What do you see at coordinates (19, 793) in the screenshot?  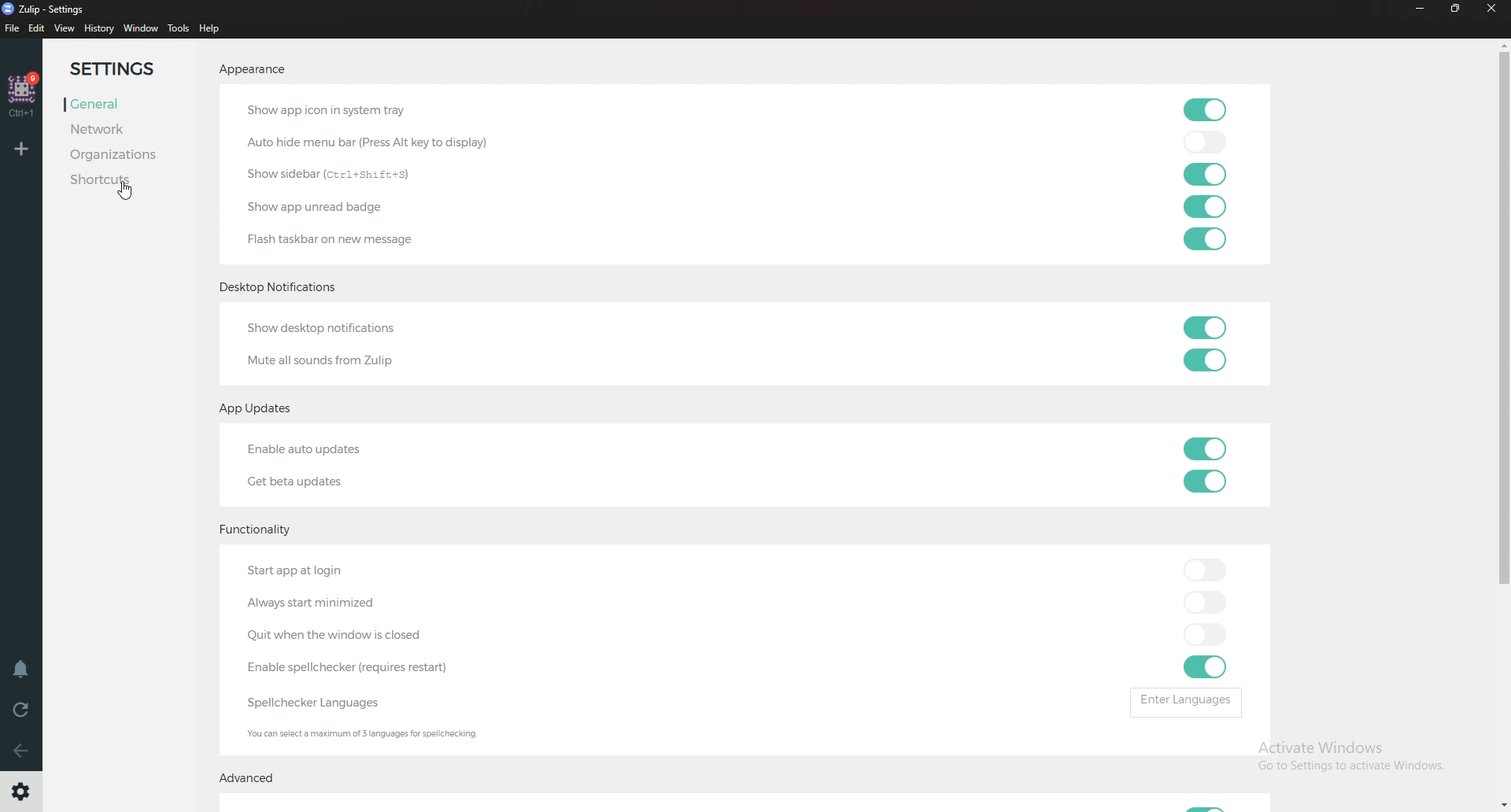 I see `Settings` at bounding box center [19, 793].